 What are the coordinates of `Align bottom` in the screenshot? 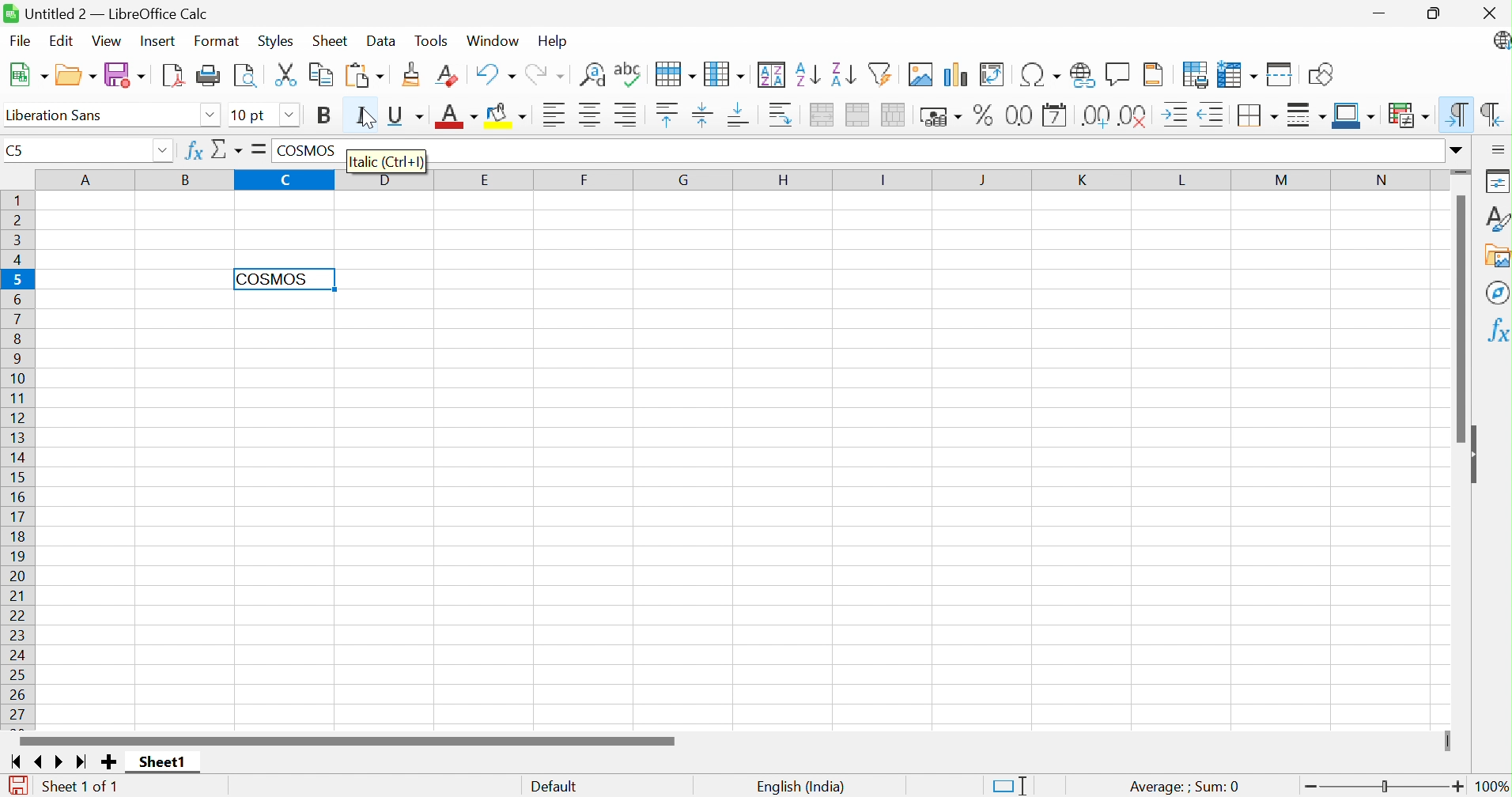 It's located at (739, 116).